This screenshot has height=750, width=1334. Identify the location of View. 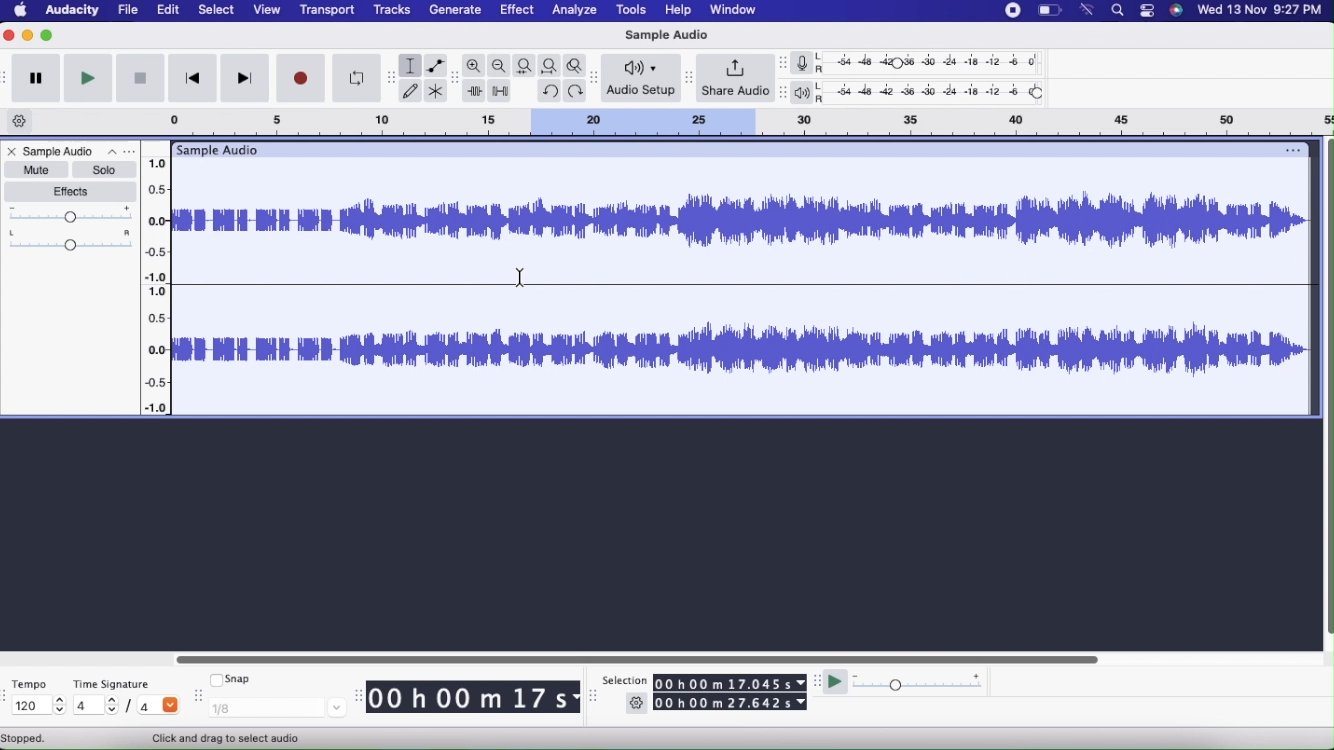
(264, 11).